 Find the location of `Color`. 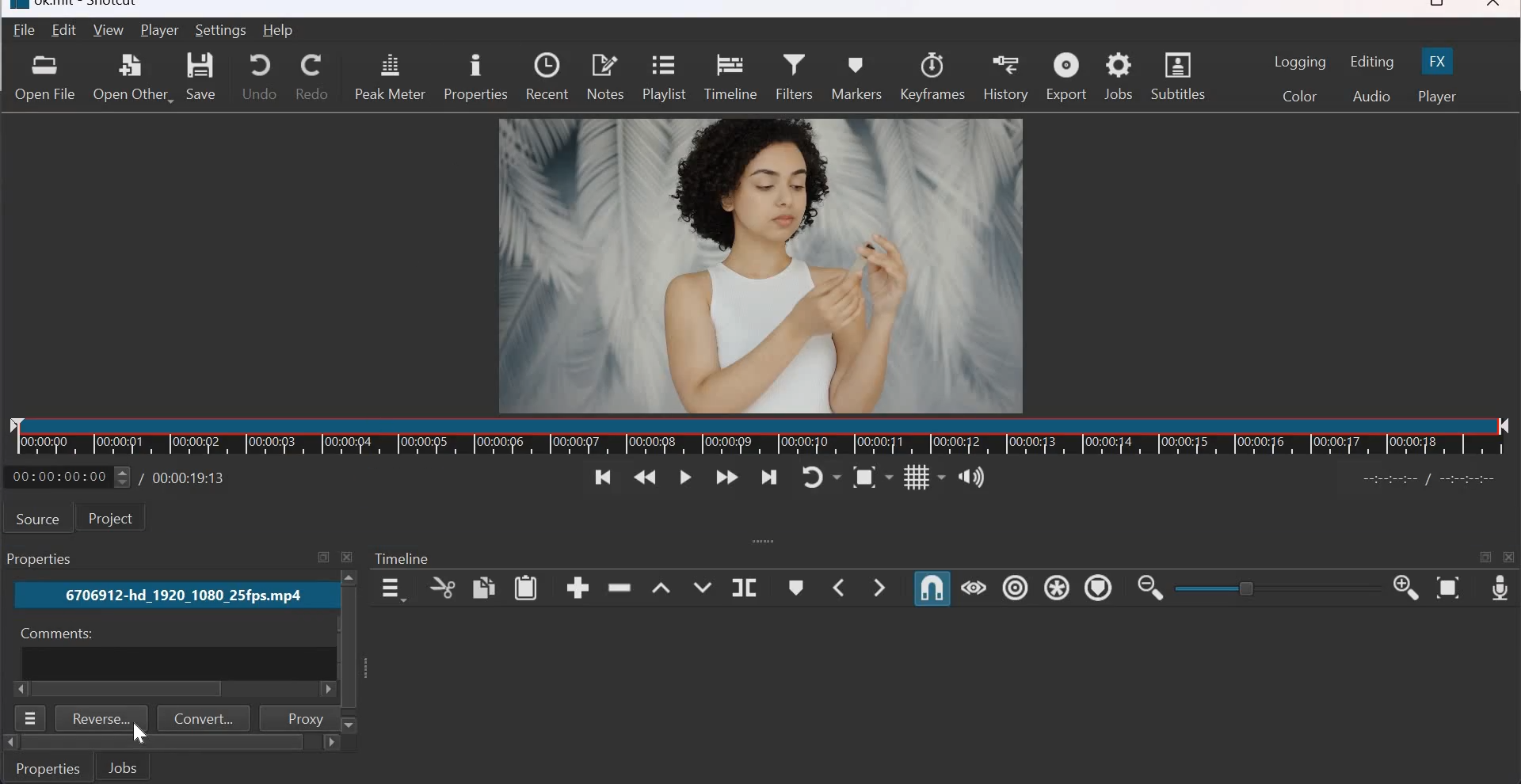

Color is located at coordinates (1298, 95).